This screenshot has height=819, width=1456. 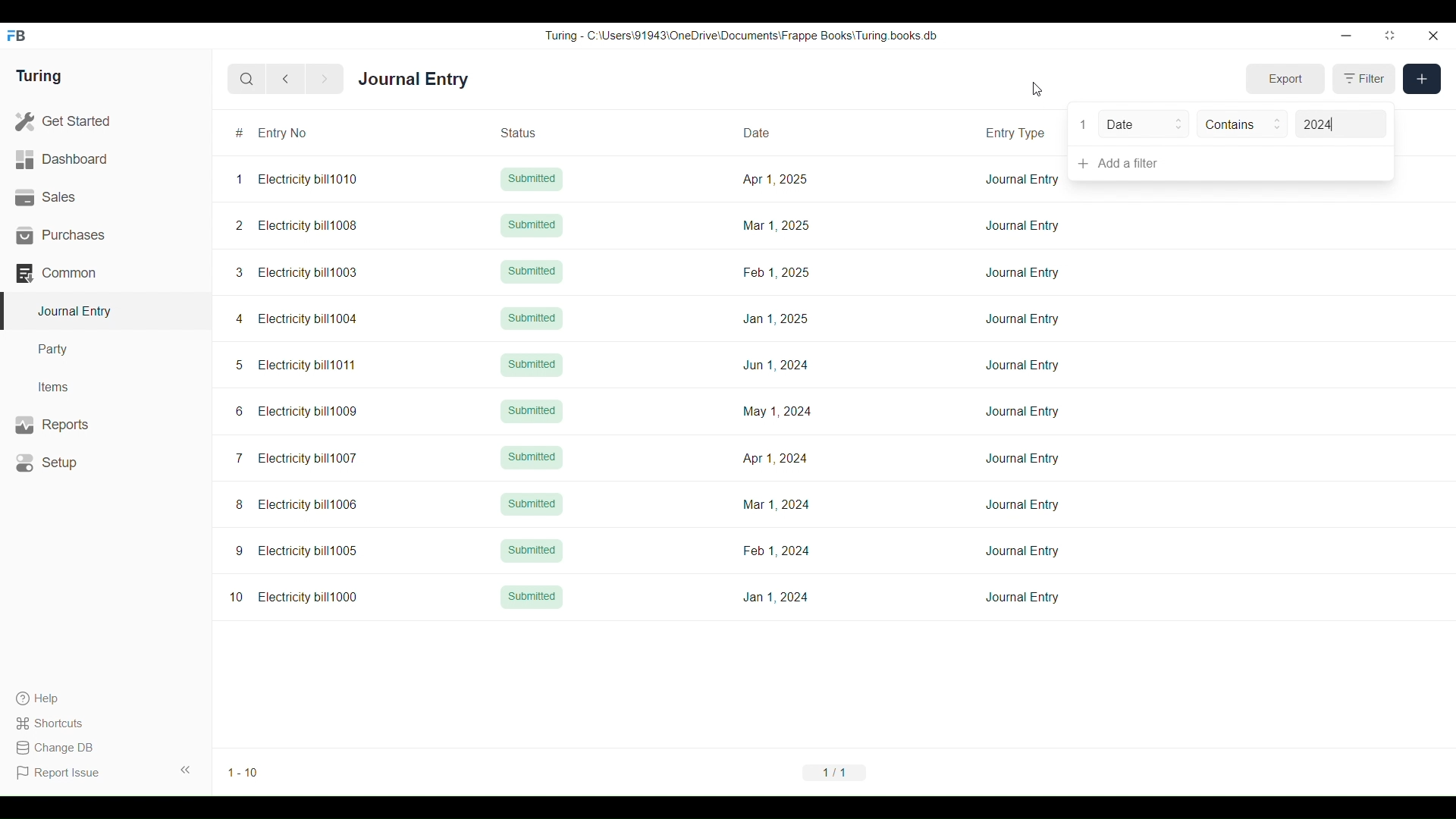 What do you see at coordinates (105, 159) in the screenshot?
I see `Dashboard` at bounding box center [105, 159].